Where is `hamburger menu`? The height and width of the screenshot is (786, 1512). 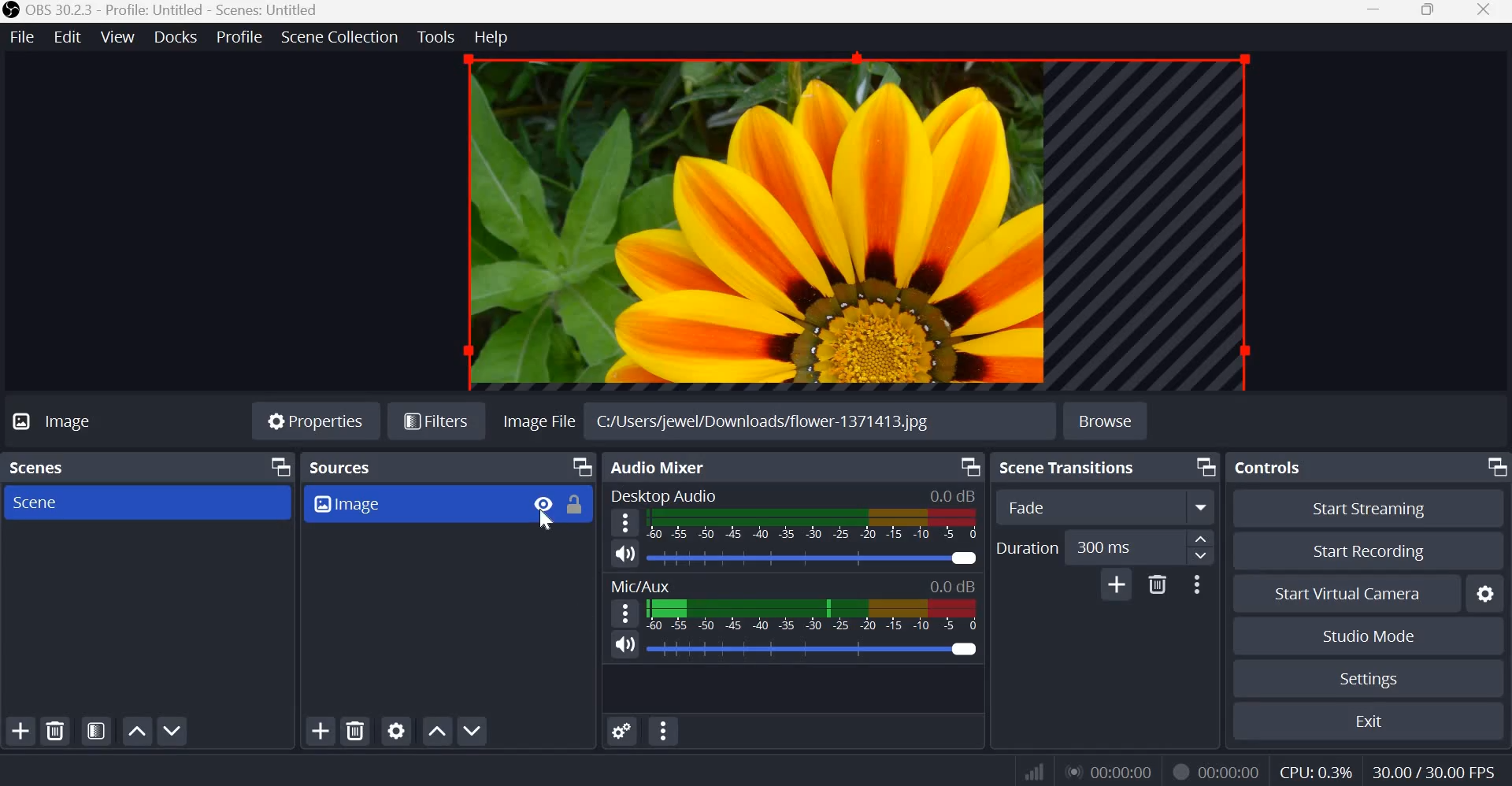
hamburger menu is located at coordinates (625, 524).